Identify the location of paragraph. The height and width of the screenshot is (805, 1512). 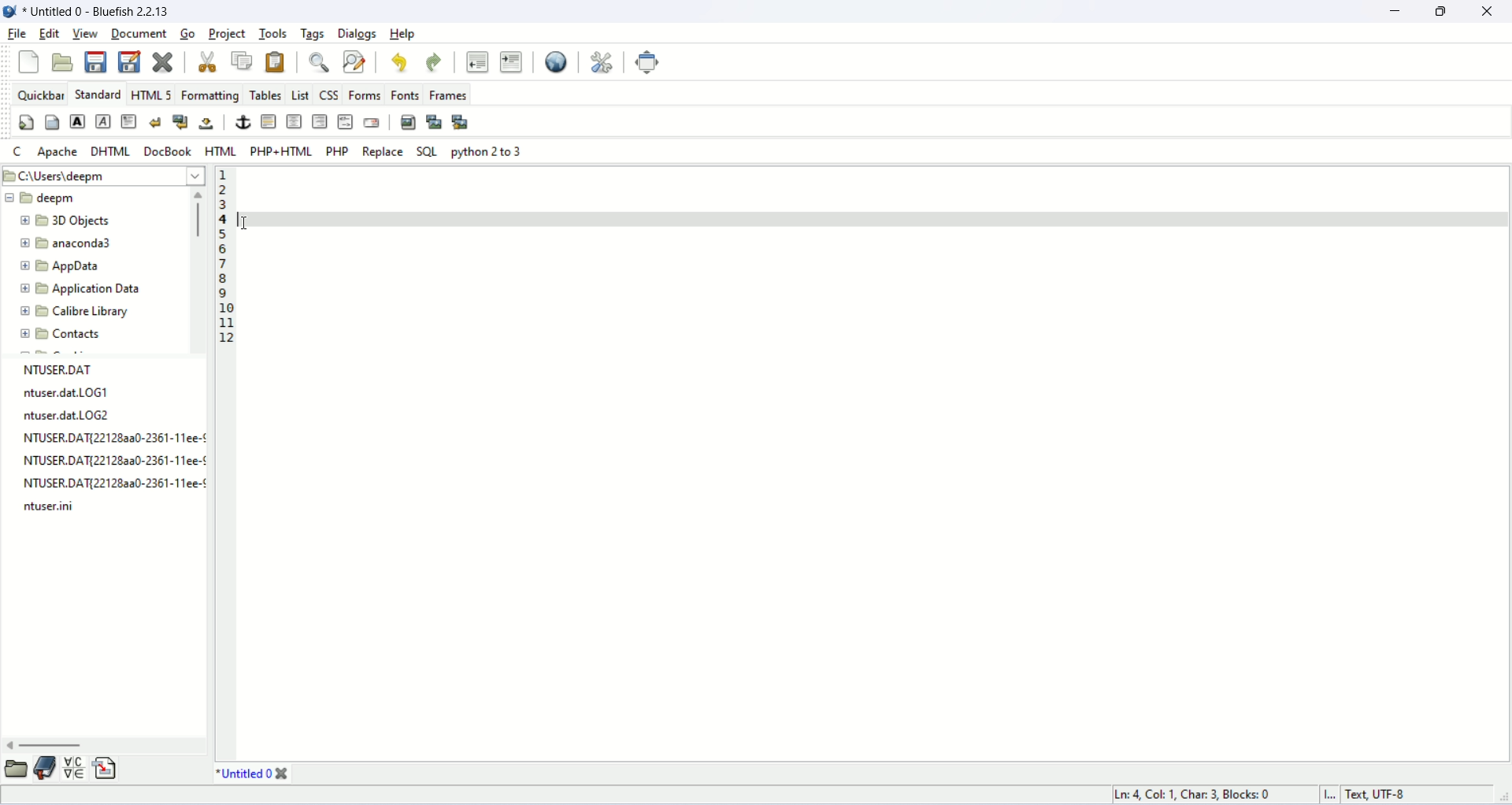
(130, 122).